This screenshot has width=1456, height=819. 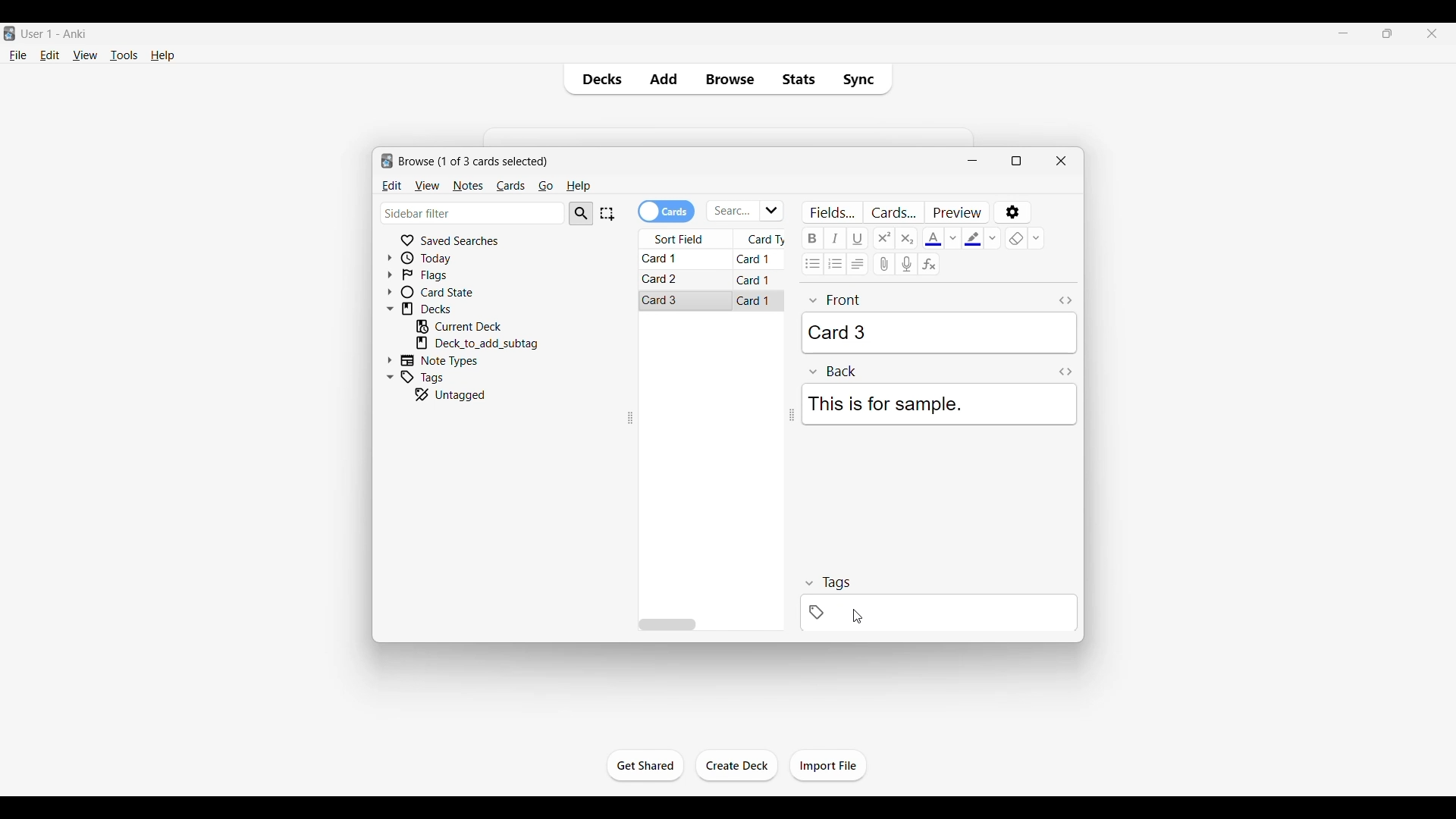 What do you see at coordinates (956, 212) in the screenshot?
I see `Preview selected card` at bounding box center [956, 212].